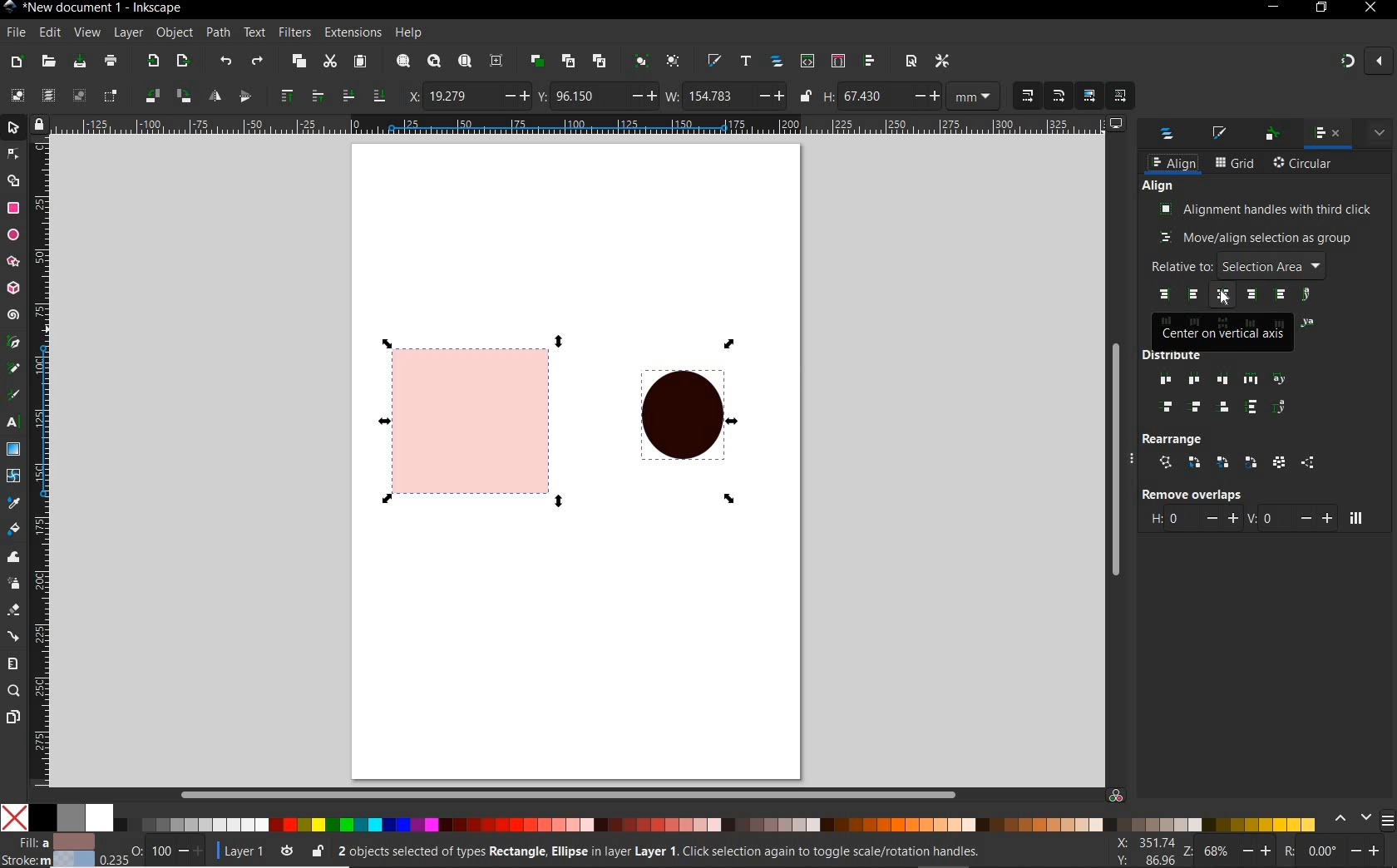 This screenshot has height=868, width=1397. I want to click on object flip vertical, so click(244, 94).